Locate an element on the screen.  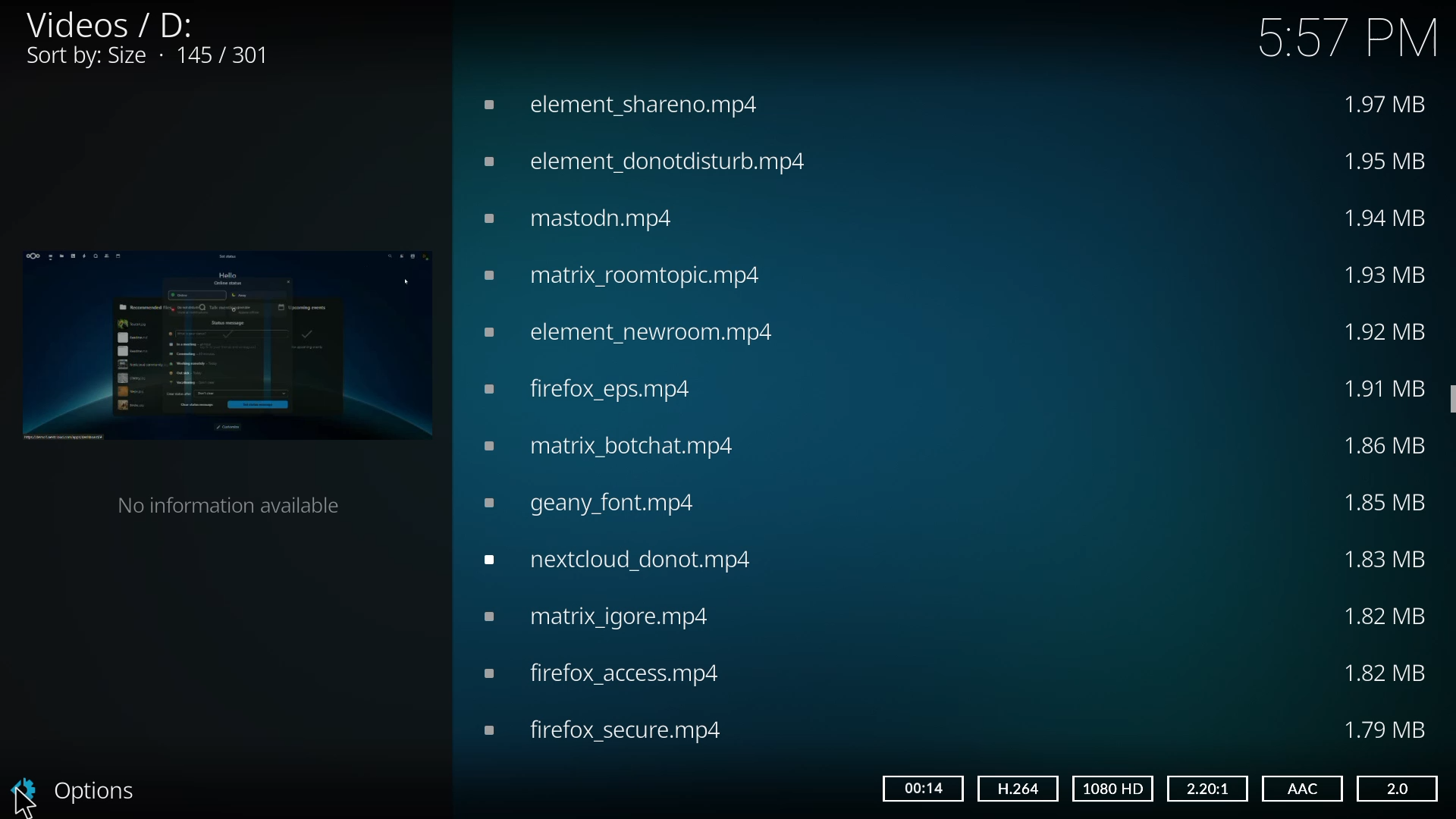
sort by size is located at coordinates (151, 57).